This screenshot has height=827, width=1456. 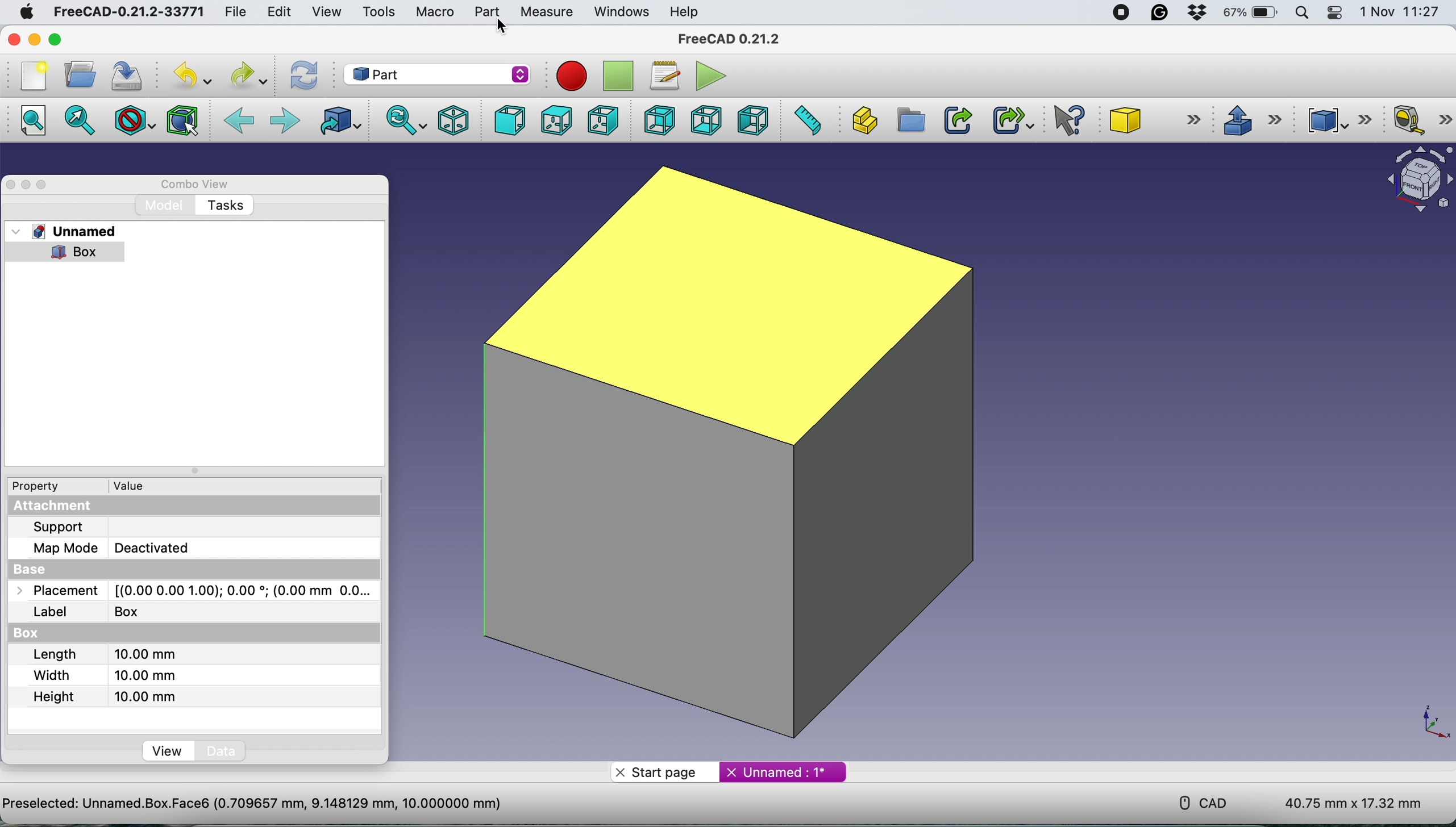 What do you see at coordinates (1418, 181) in the screenshot?
I see `object interface` at bounding box center [1418, 181].